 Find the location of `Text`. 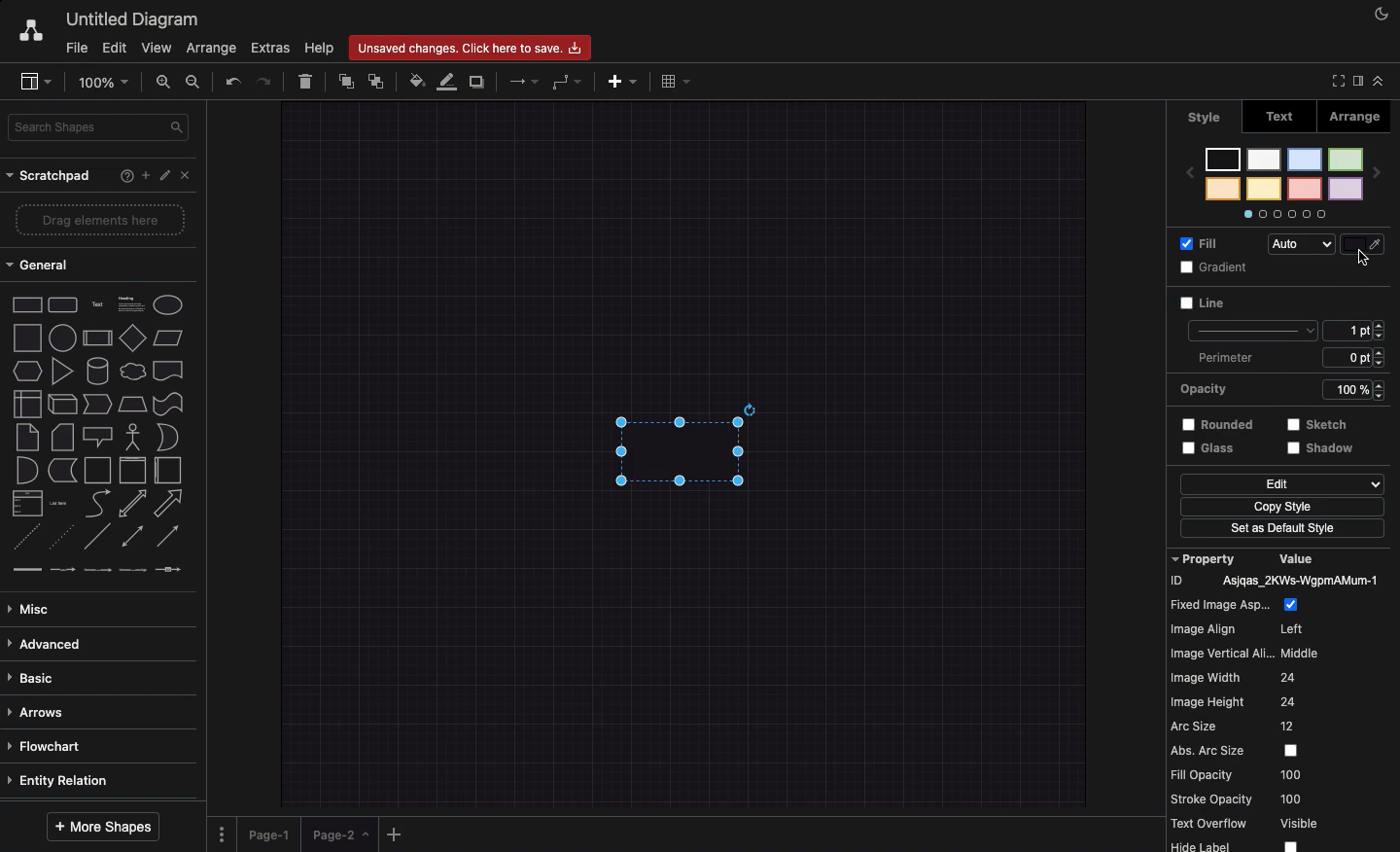

Text is located at coordinates (1286, 115).